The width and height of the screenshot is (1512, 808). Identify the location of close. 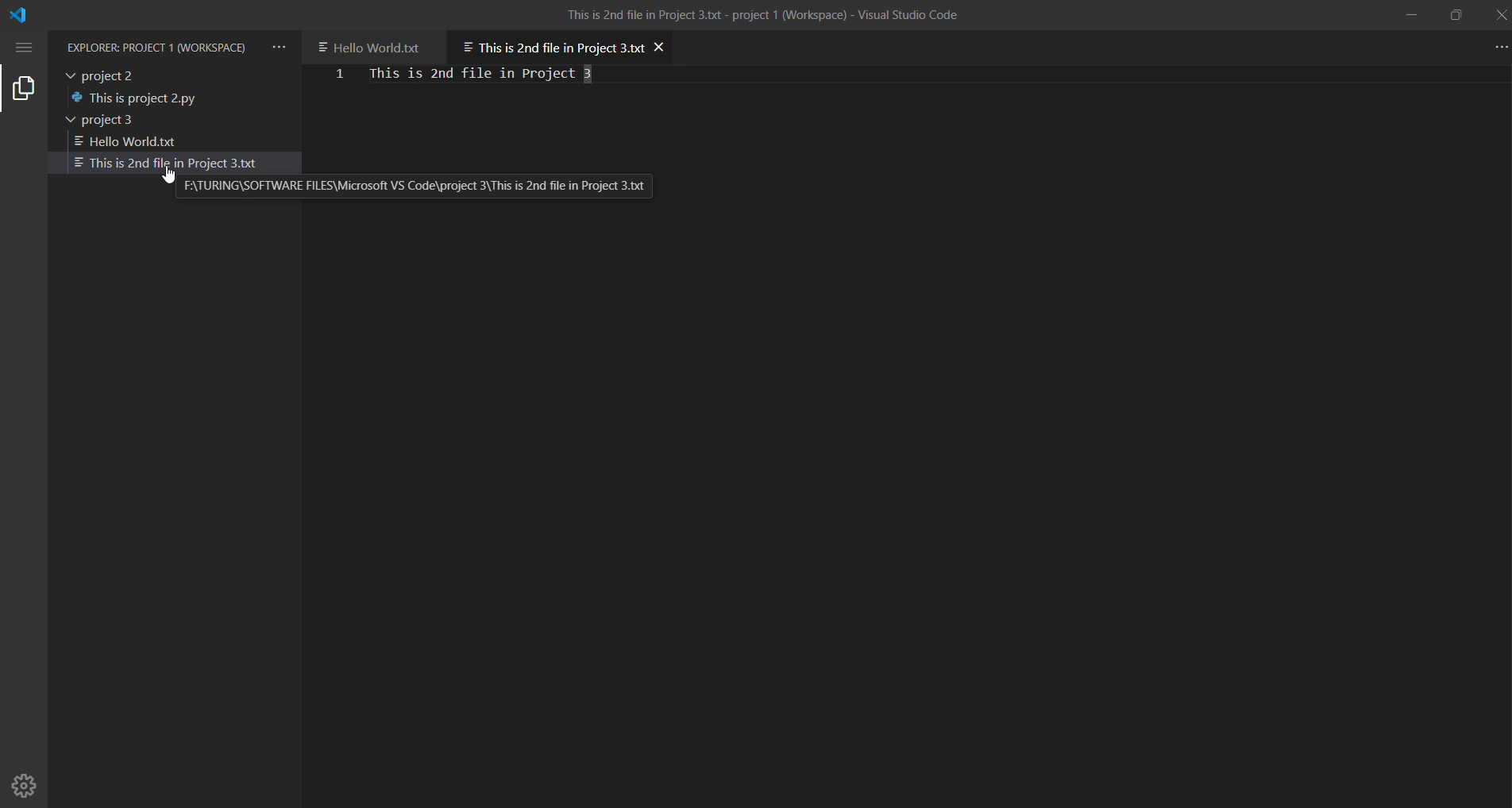
(1500, 14).